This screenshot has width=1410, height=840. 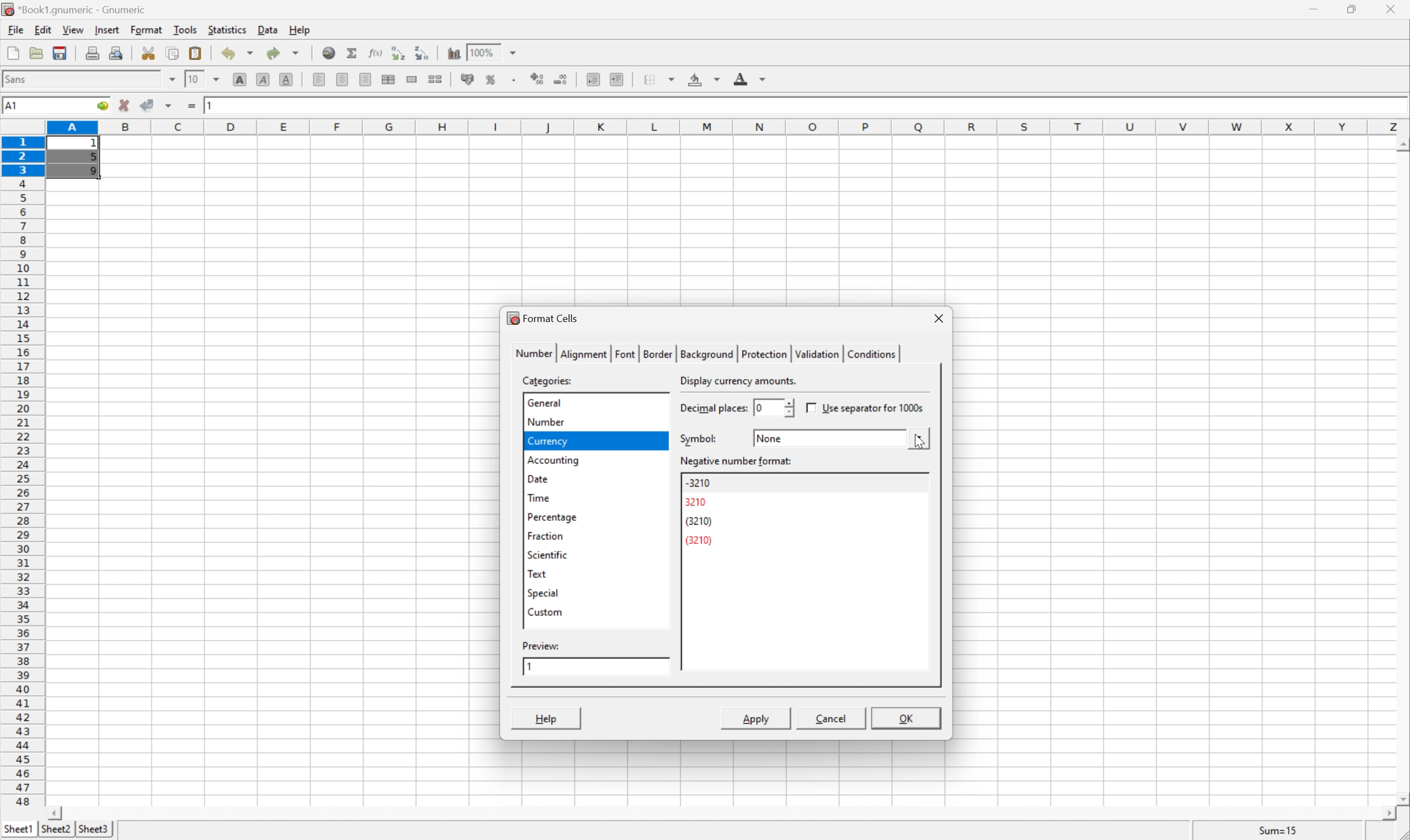 What do you see at coordinates (698, 502) in the screenshot?
I see `3210` at bounding box center [698, 502].